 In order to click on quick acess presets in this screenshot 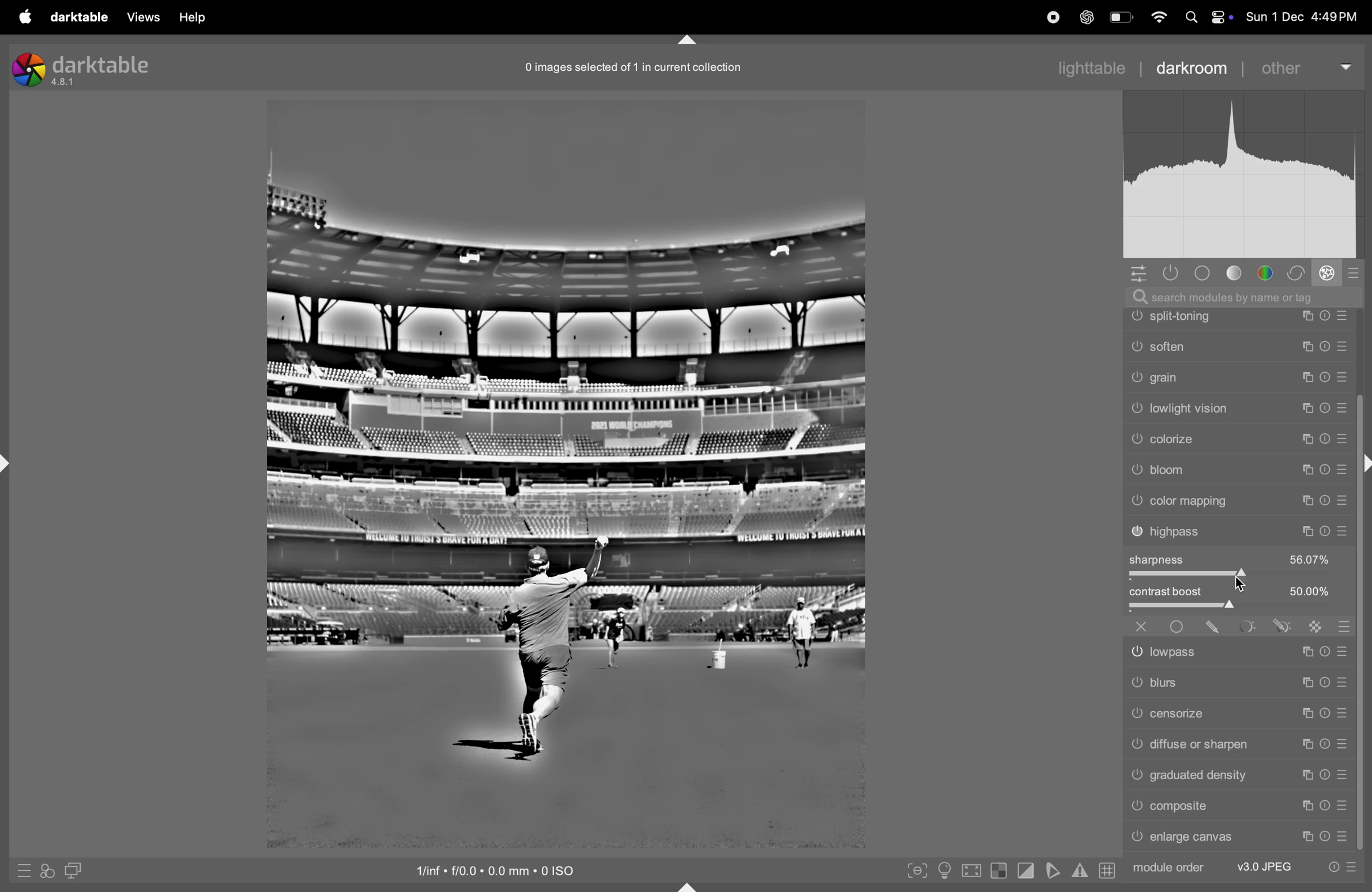, I will do `click(20, 871)`.